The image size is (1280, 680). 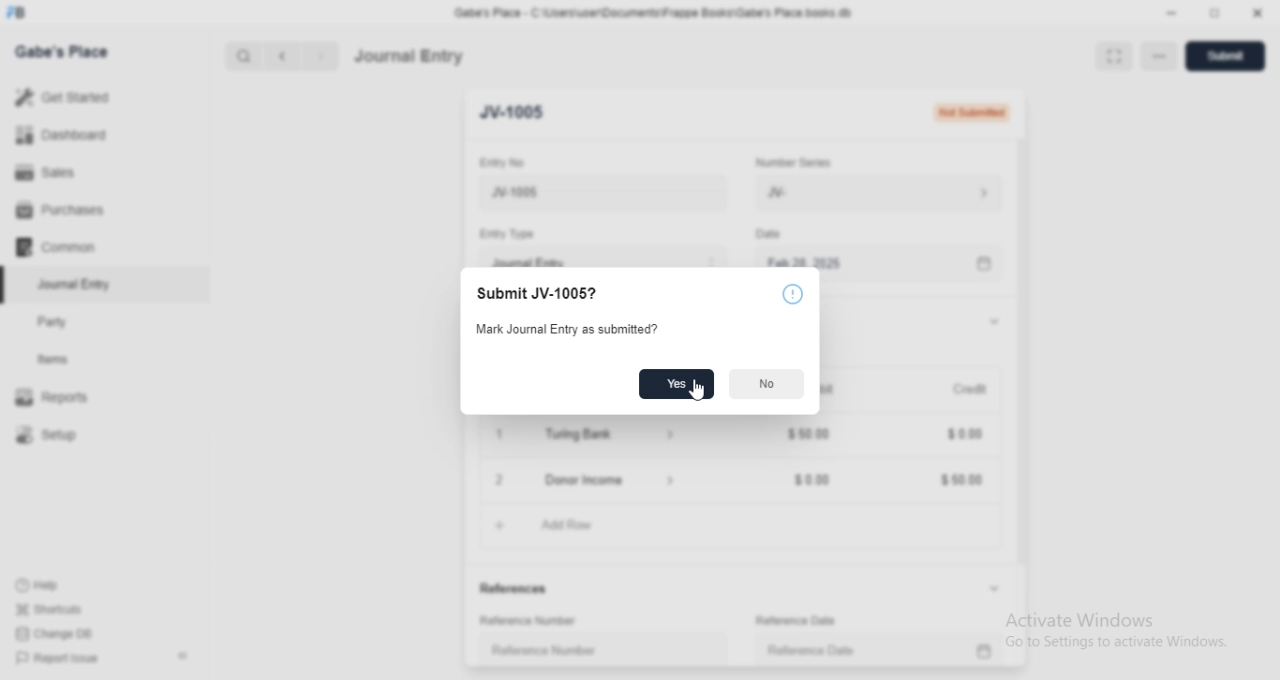 What do you see at coordinates (699, 392) in the screenshot?
I see `cursor` at bounding box center [699, 392].